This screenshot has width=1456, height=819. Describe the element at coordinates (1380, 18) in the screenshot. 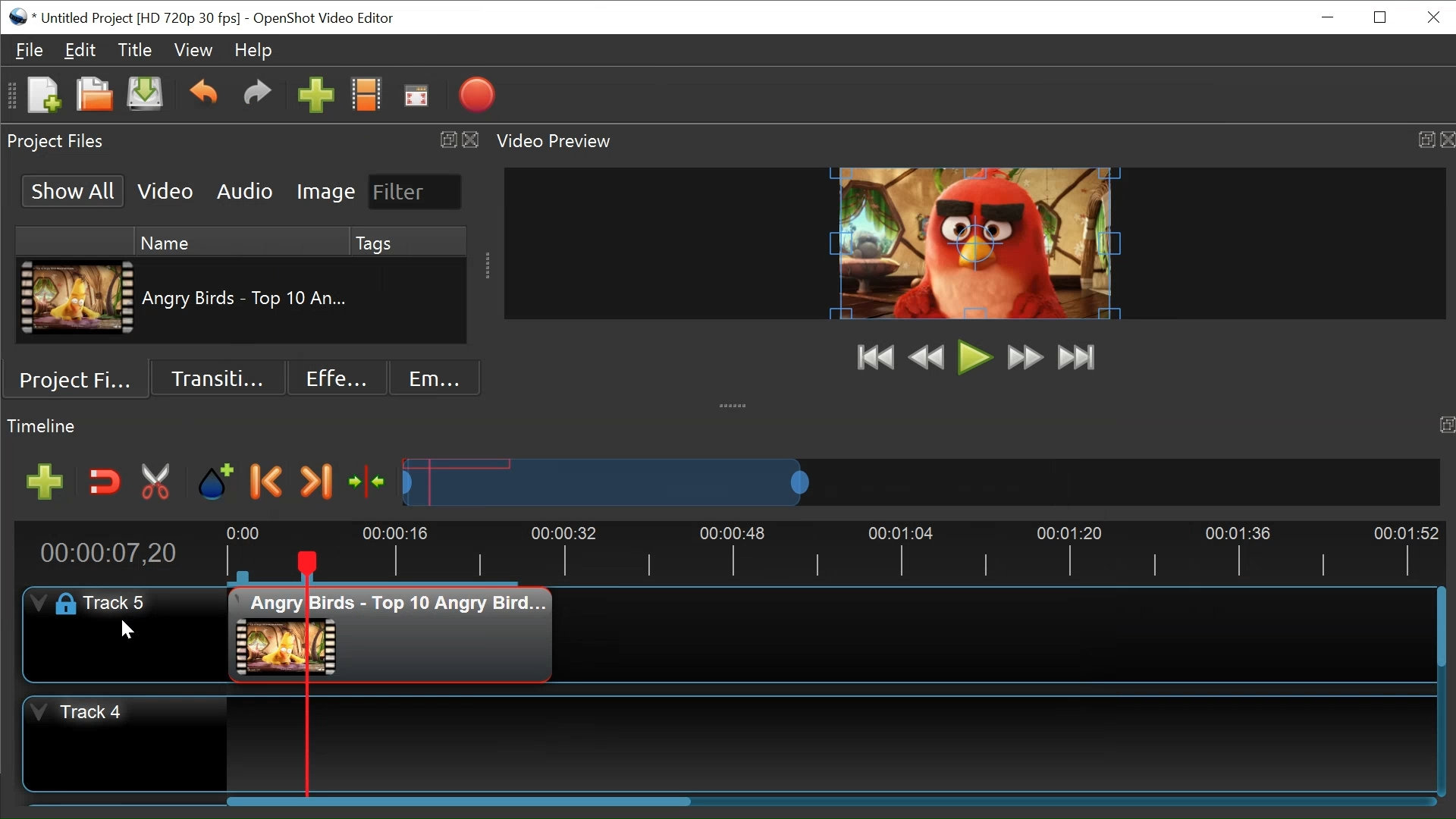

I see `Restore ` at that location.